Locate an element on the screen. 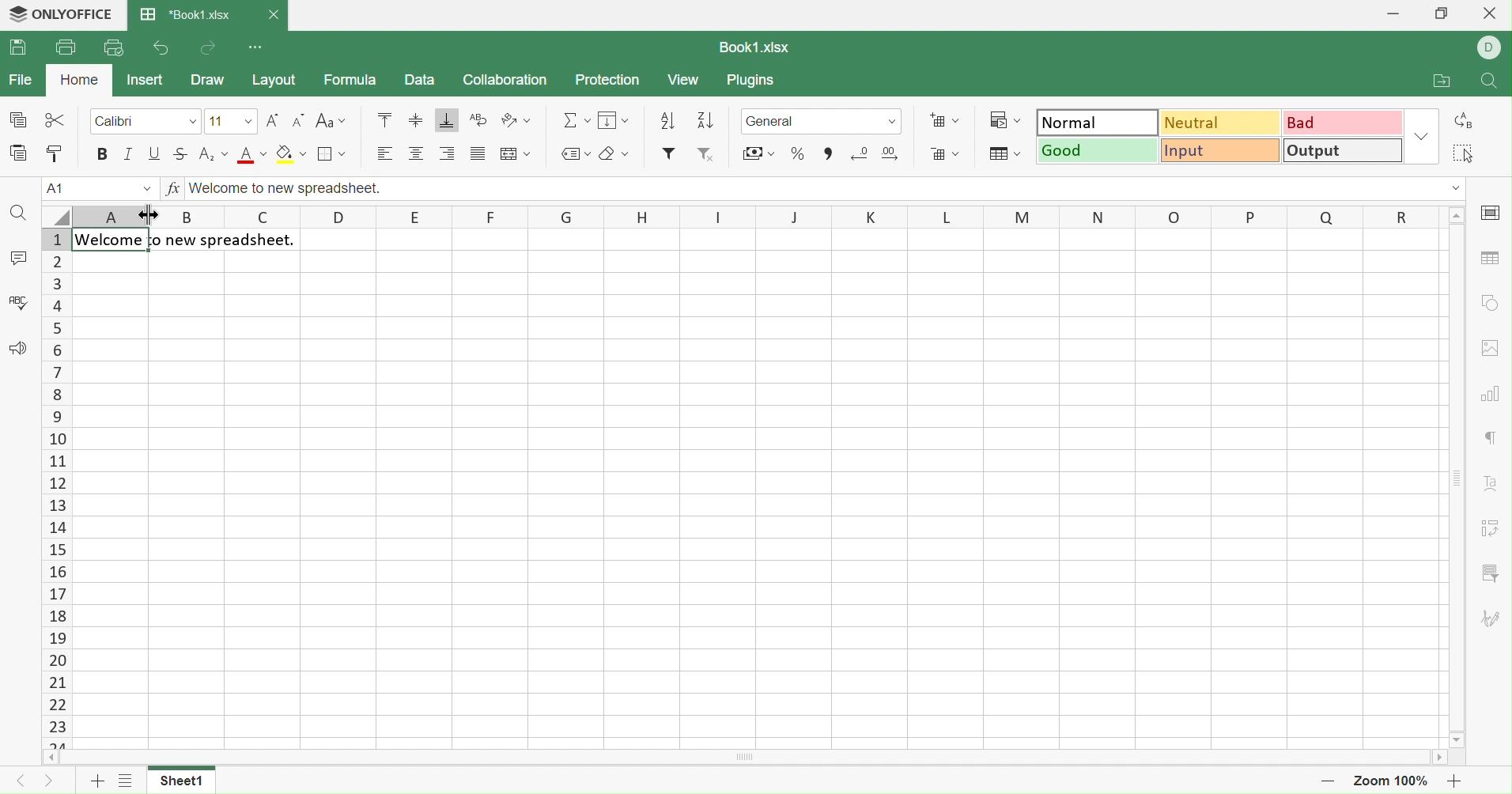 Image resolution: width=1512 pixels, height=794 pixels. Align is located at coordinates (415, 154).